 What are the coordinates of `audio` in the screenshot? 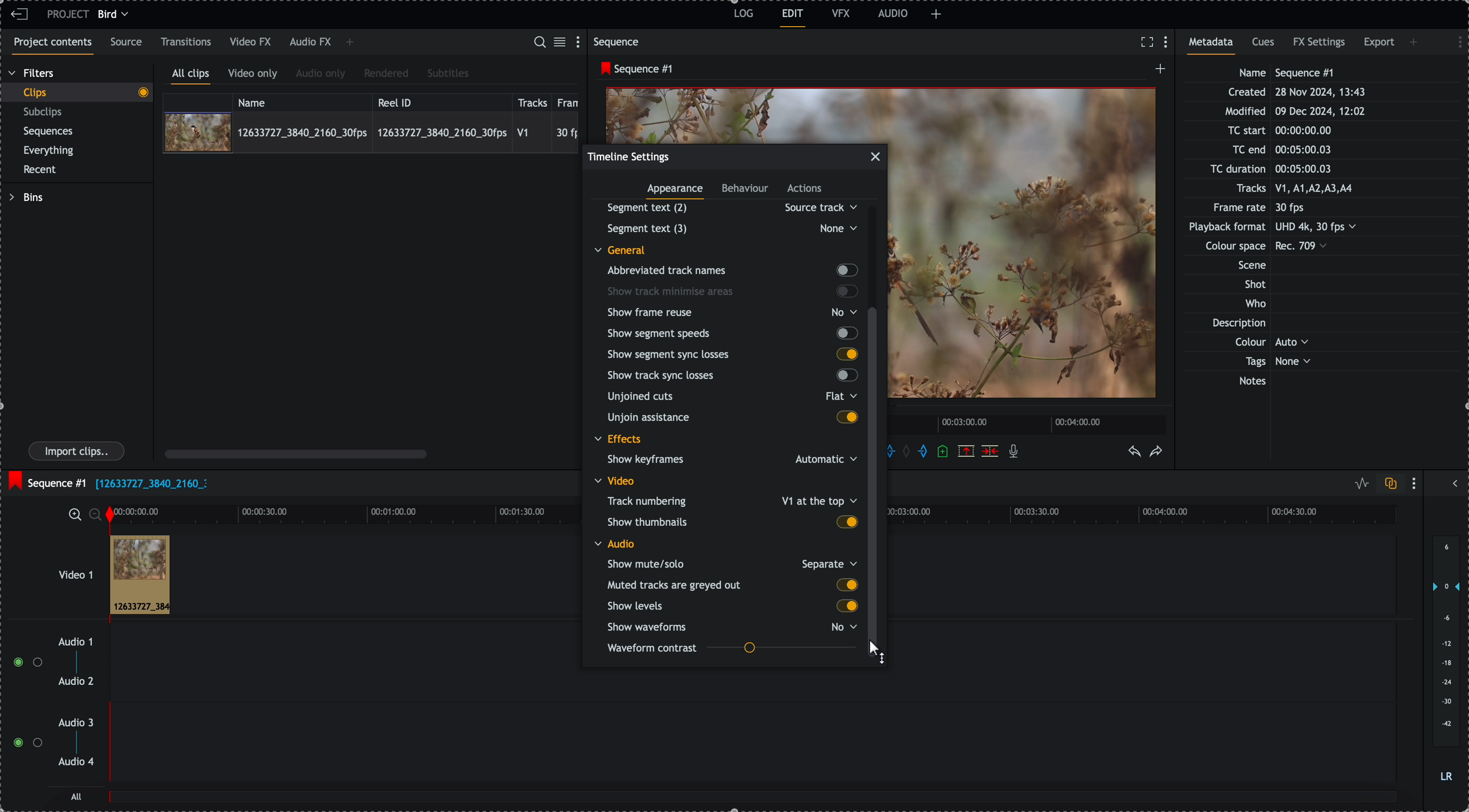 It's located at (615, 543).